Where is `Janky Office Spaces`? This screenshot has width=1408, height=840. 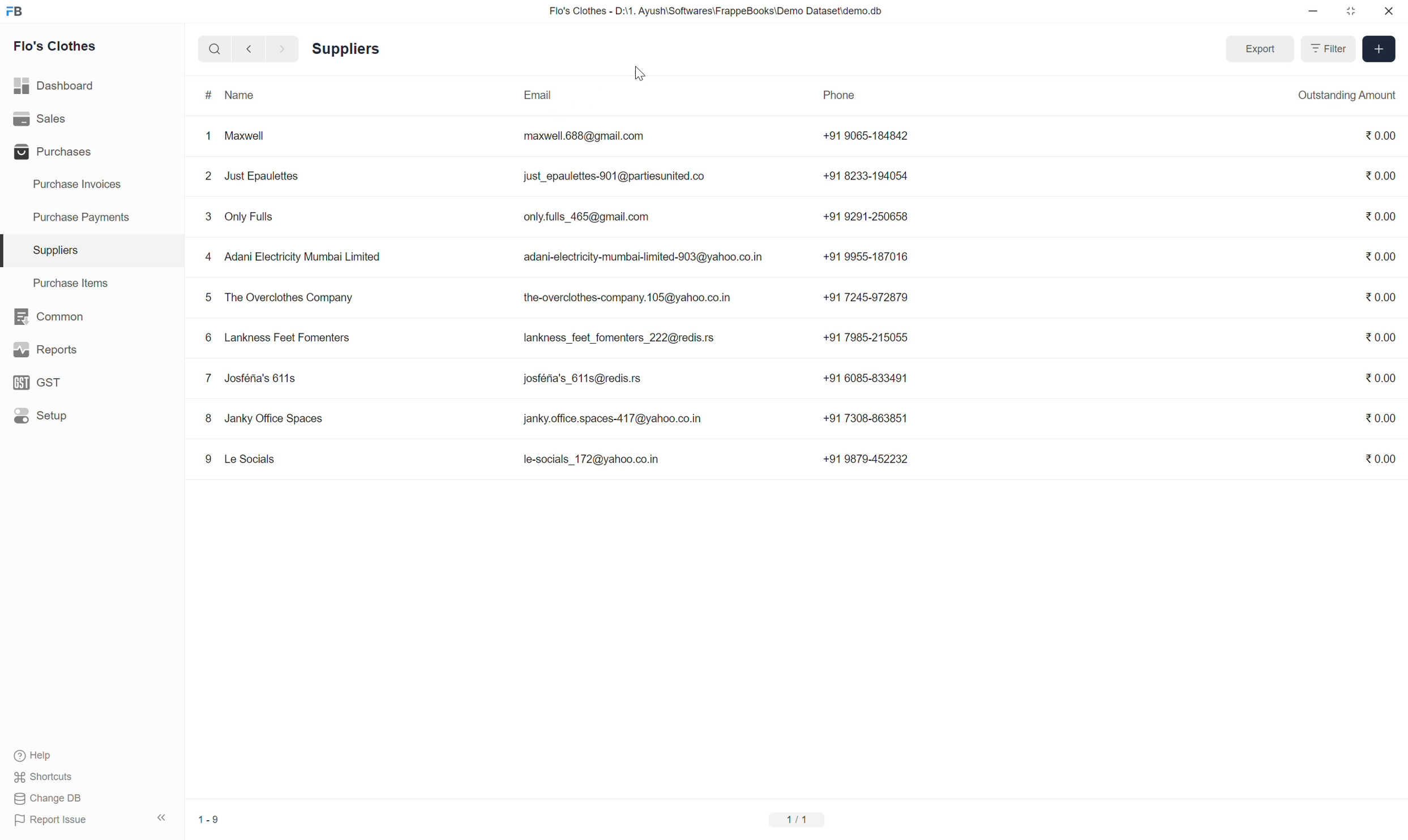 Janky Office Spaces is located at coordinates (275, 419).